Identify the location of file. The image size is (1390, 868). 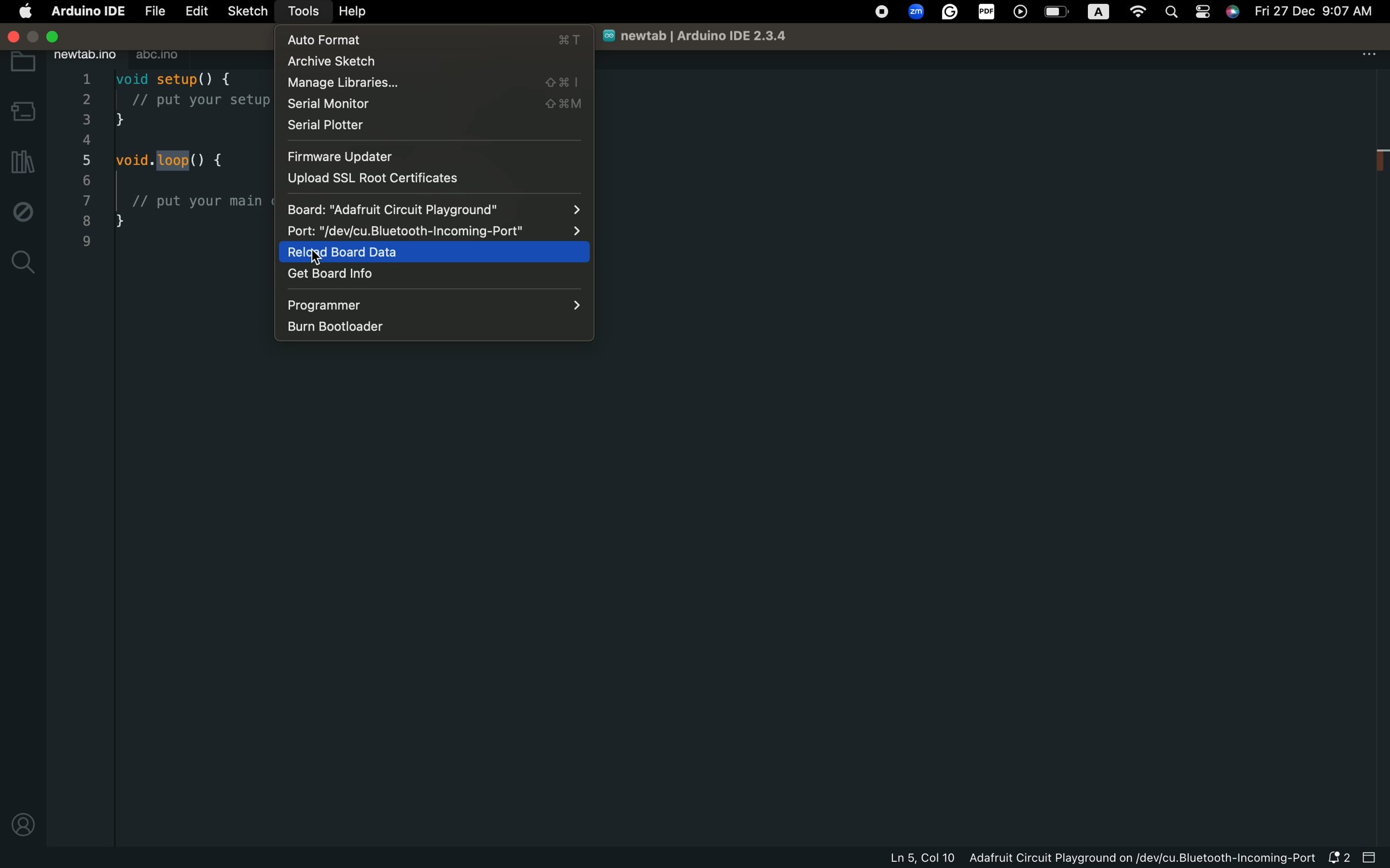
(153, 11).